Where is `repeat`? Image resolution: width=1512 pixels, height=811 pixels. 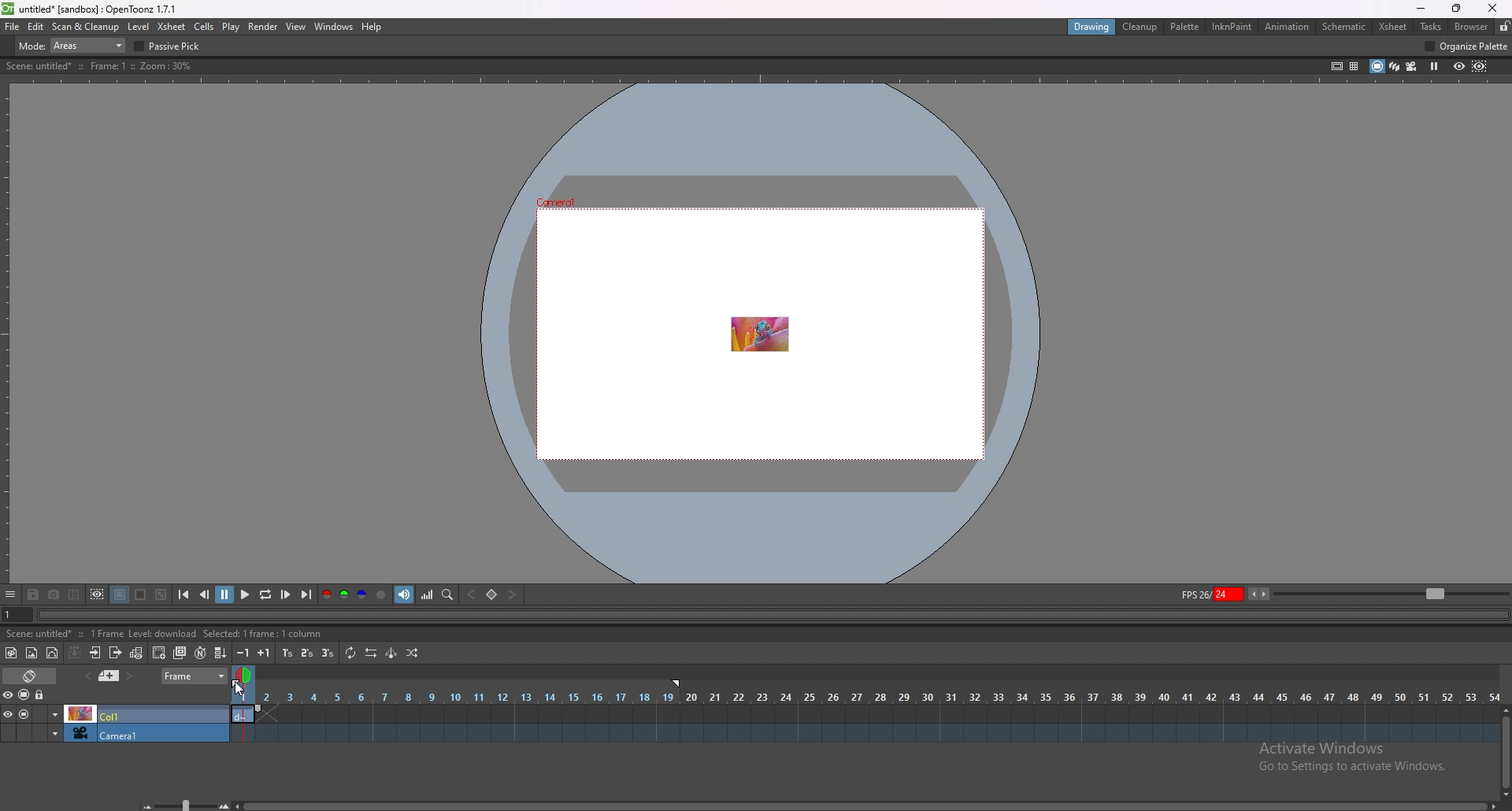 repeat is located at coordinates (352, 654).